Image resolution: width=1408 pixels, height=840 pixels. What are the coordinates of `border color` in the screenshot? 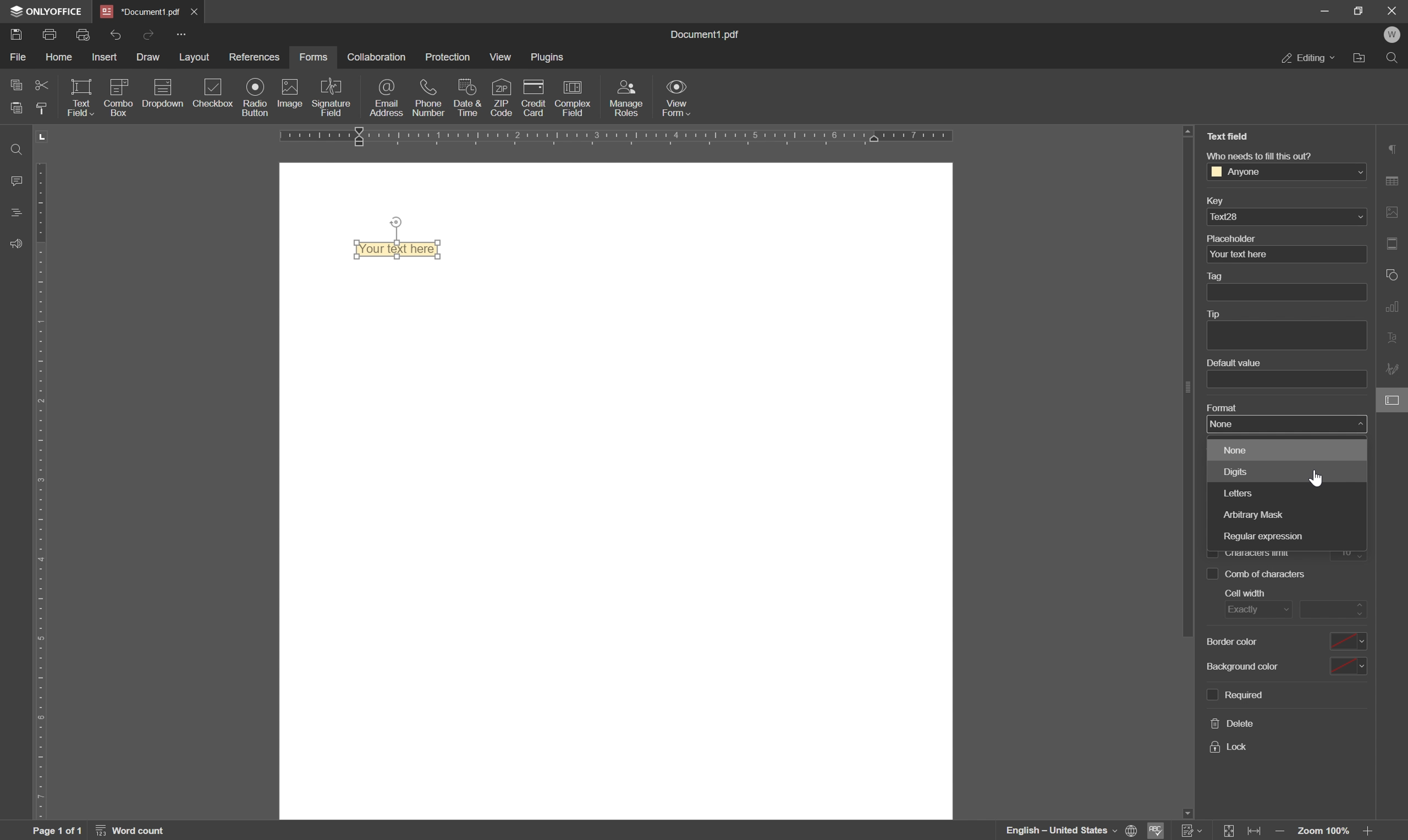 It's located at (1234, 643).